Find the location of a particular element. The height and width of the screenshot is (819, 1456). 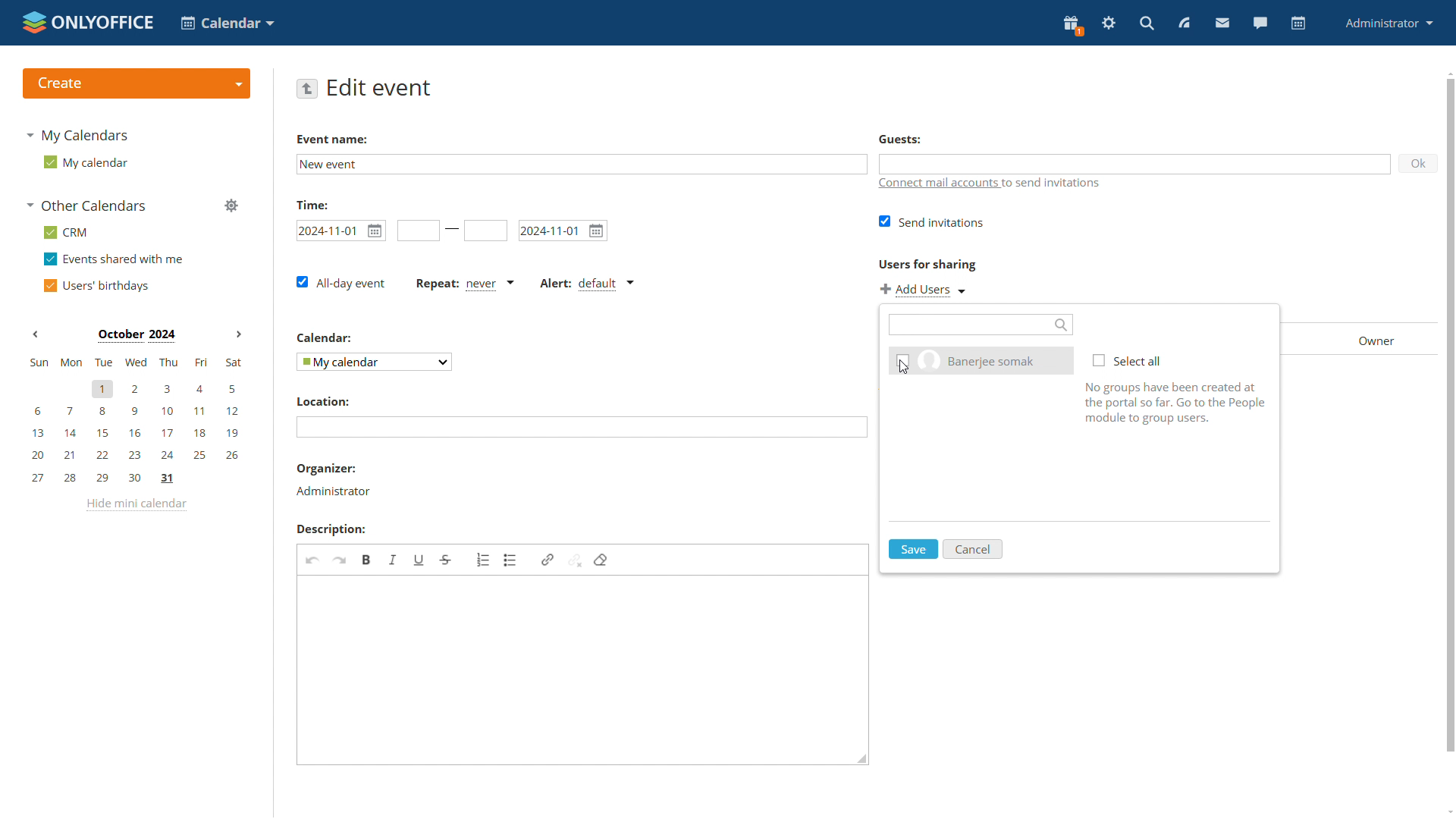

select application is located at coordinates (230, 24).